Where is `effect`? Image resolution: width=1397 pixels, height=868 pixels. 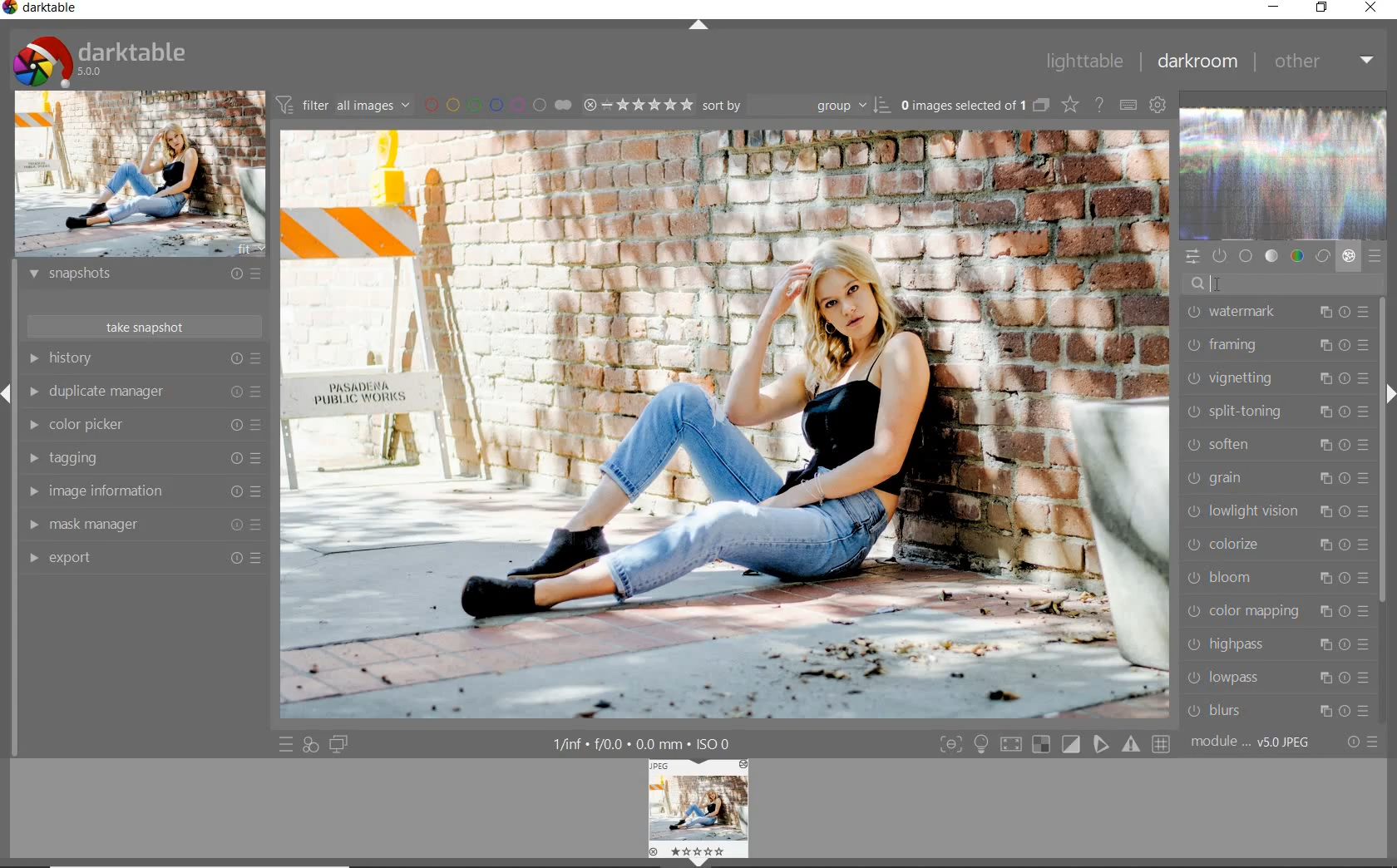 effect is located at coordinates (1349, 259).